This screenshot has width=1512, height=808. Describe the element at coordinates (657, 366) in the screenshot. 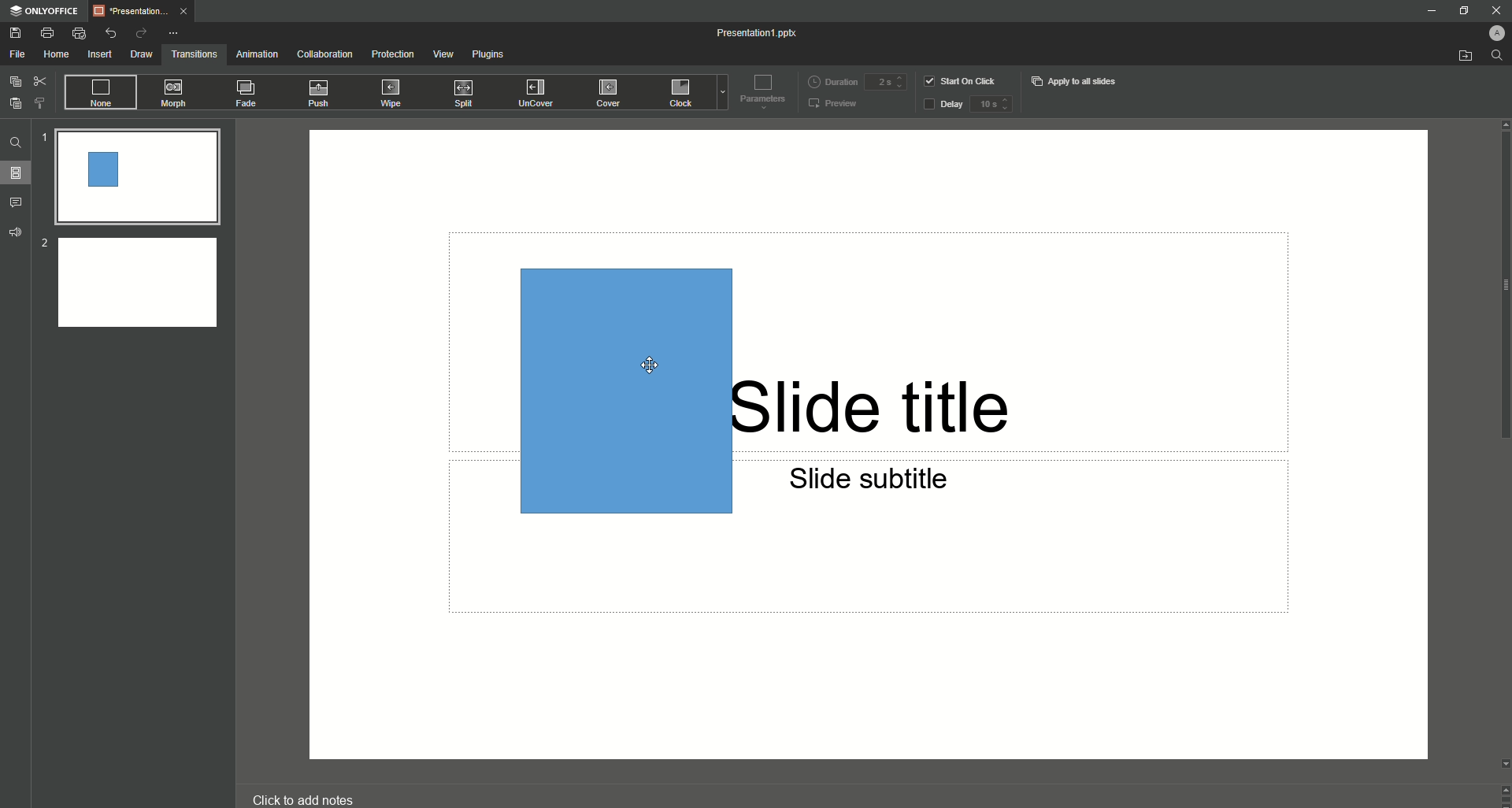

I see `Cursor` at that location.